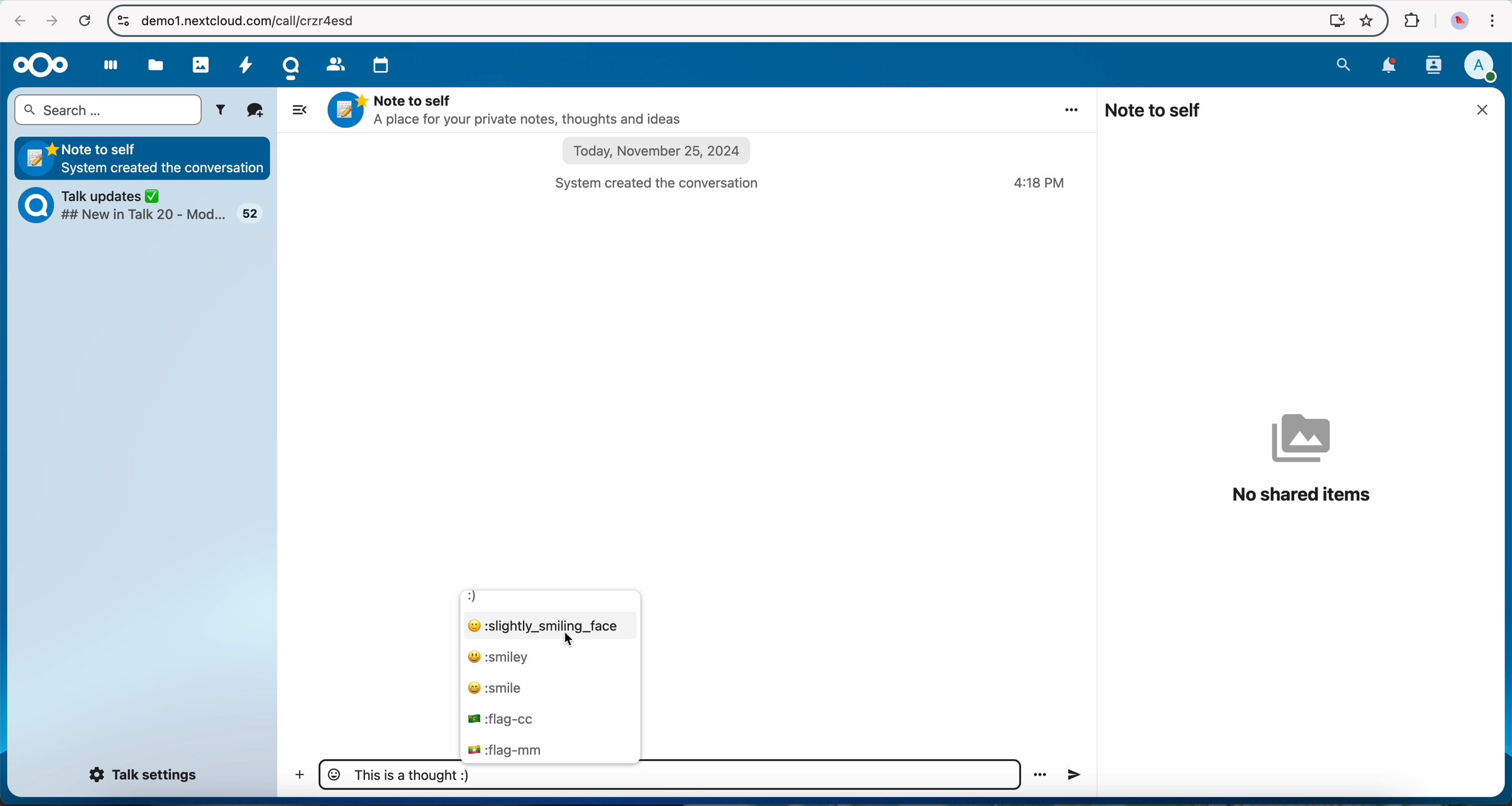  What do you see at coordinates (1041, 775) in the screenshot?
I see `more options` at bounding box center [1041, 775].